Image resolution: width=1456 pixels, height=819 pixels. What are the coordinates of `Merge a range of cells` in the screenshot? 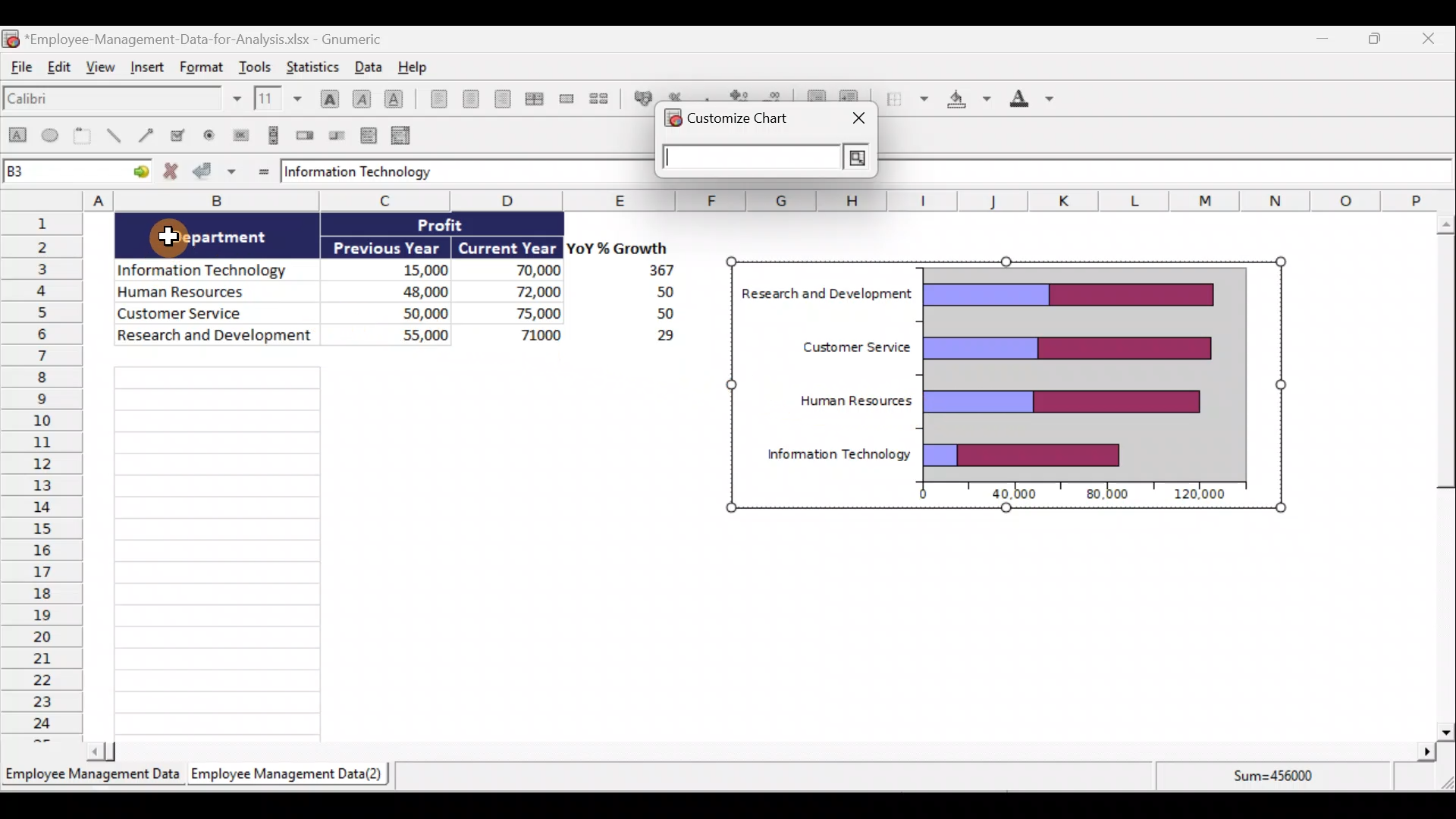 It's located at (566, 99).